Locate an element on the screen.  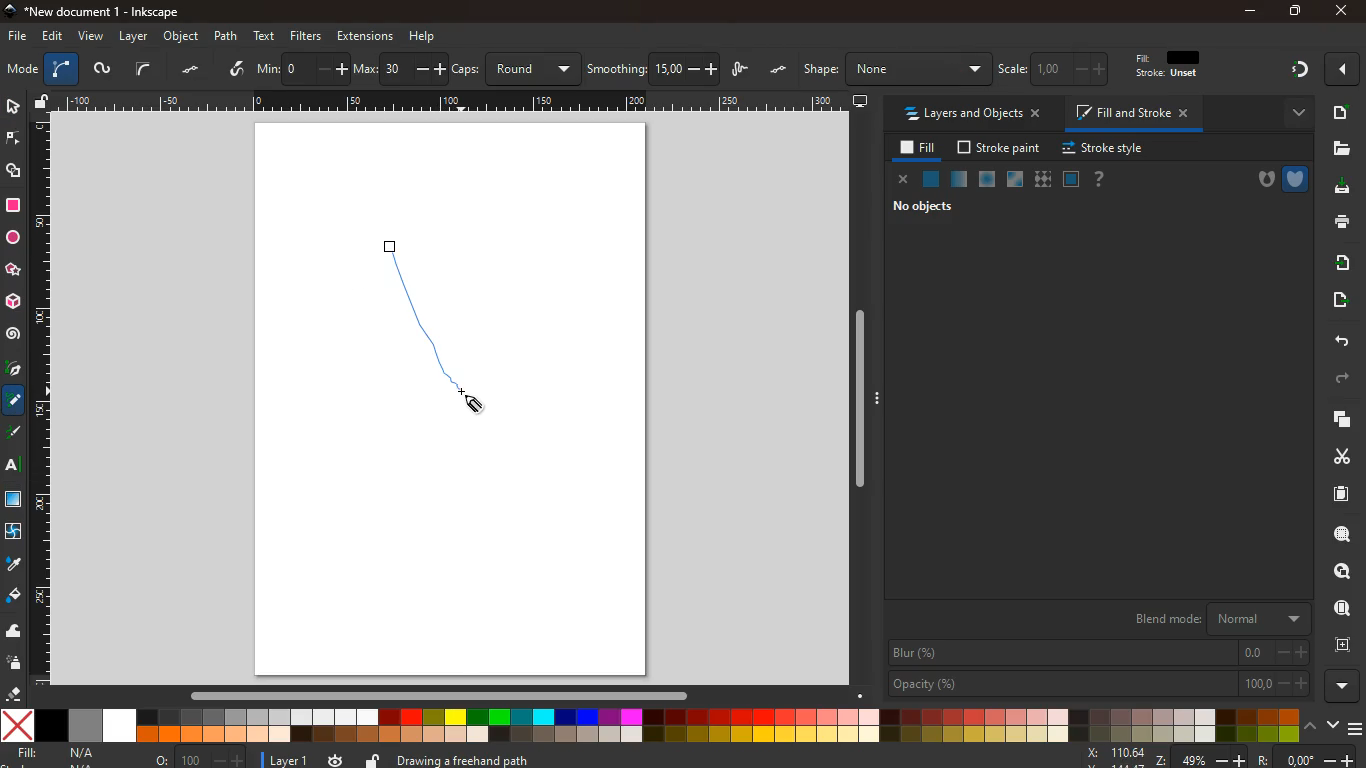
zoom is located at coordinates (1221, 757).